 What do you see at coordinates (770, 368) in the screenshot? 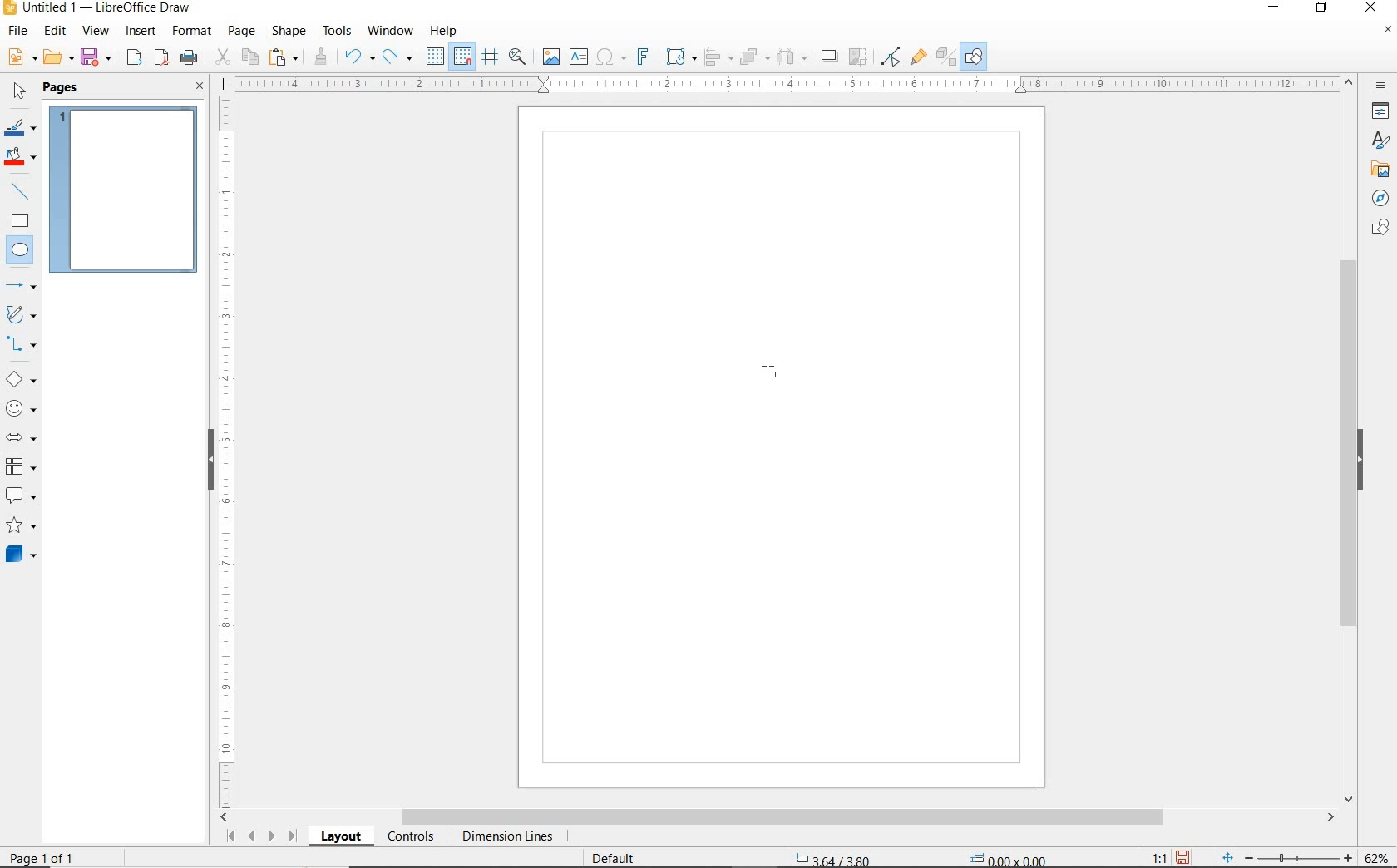
I see `ELLIPSE TOOL` at bounding box center [770, 368].